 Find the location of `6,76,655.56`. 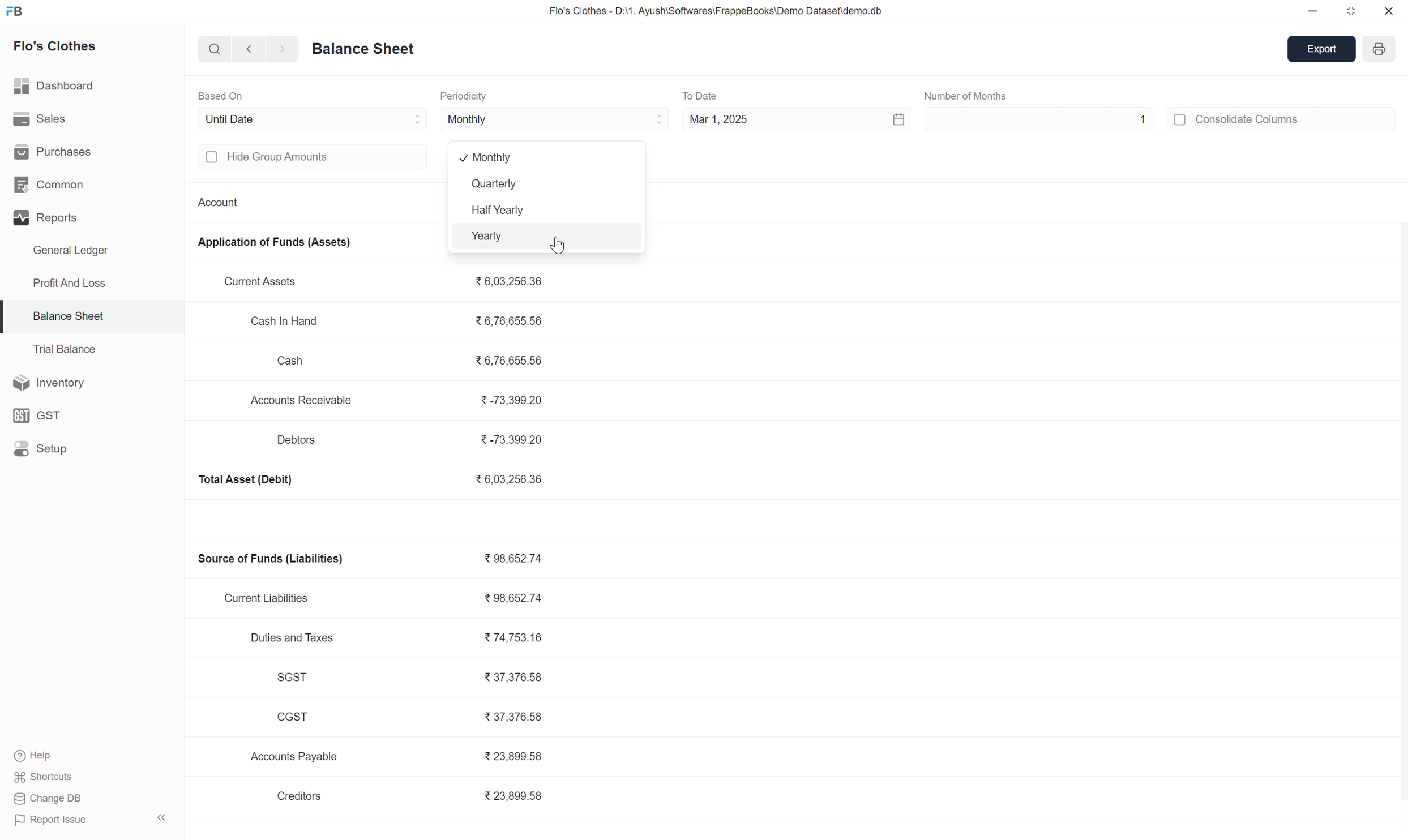

6,76,655.56 is located at coordinates (515, 320).